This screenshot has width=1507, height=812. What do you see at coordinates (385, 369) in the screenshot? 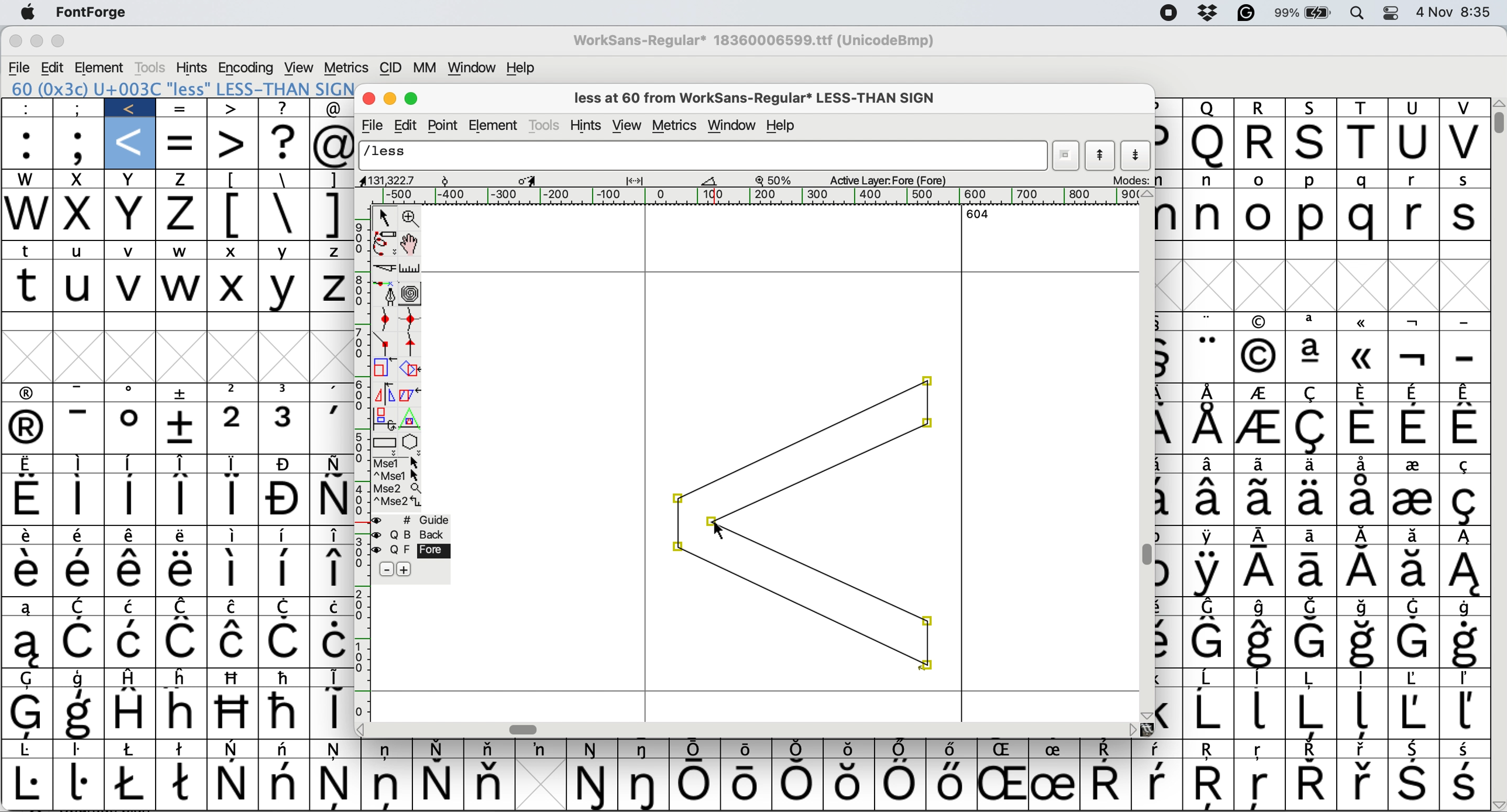
I see `scale glyph` at bounding box center [385, 369].